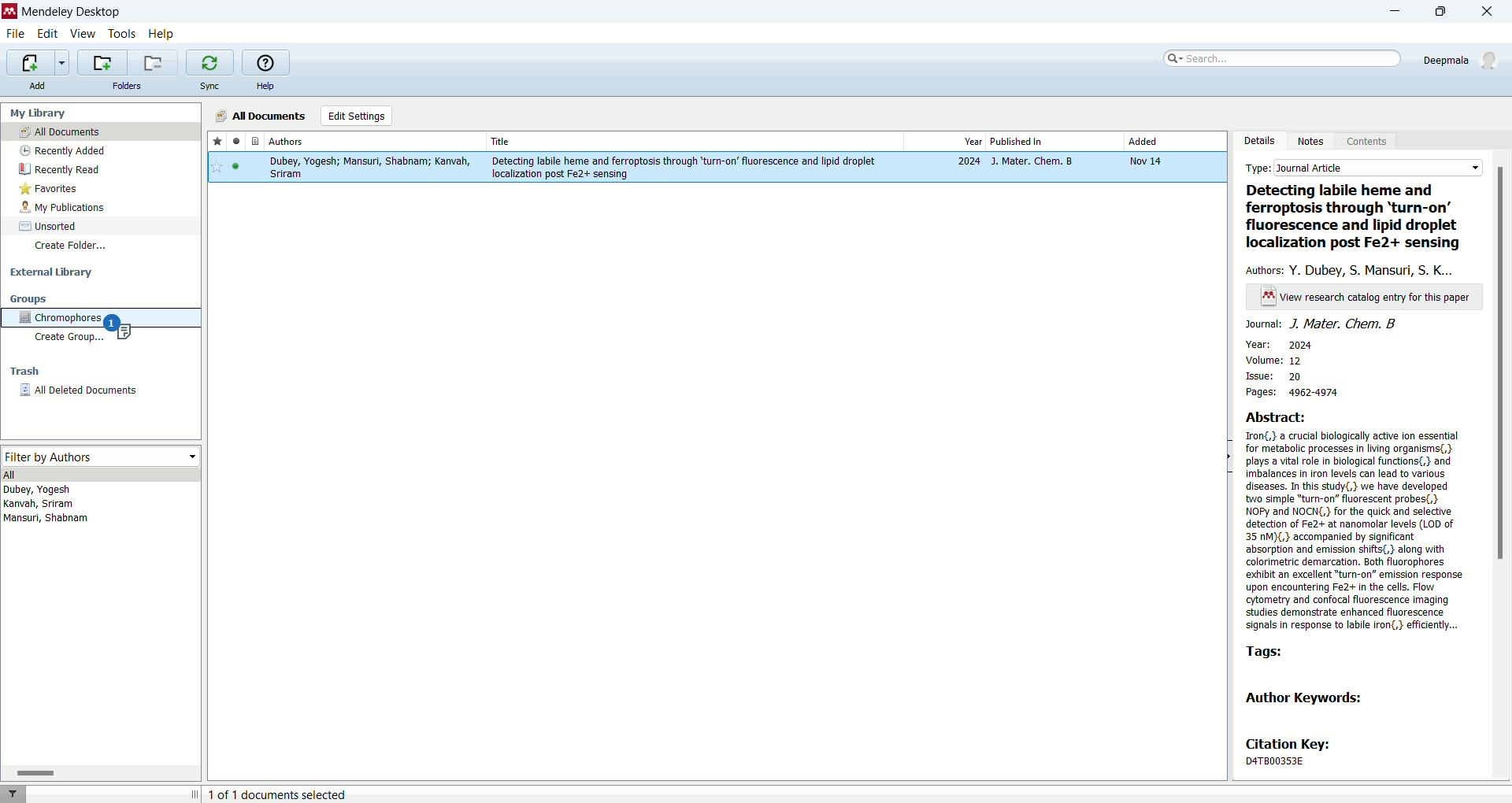 This screenshot has height=803, width=1512. I want to click on issue: 20, so click(1278, 377).